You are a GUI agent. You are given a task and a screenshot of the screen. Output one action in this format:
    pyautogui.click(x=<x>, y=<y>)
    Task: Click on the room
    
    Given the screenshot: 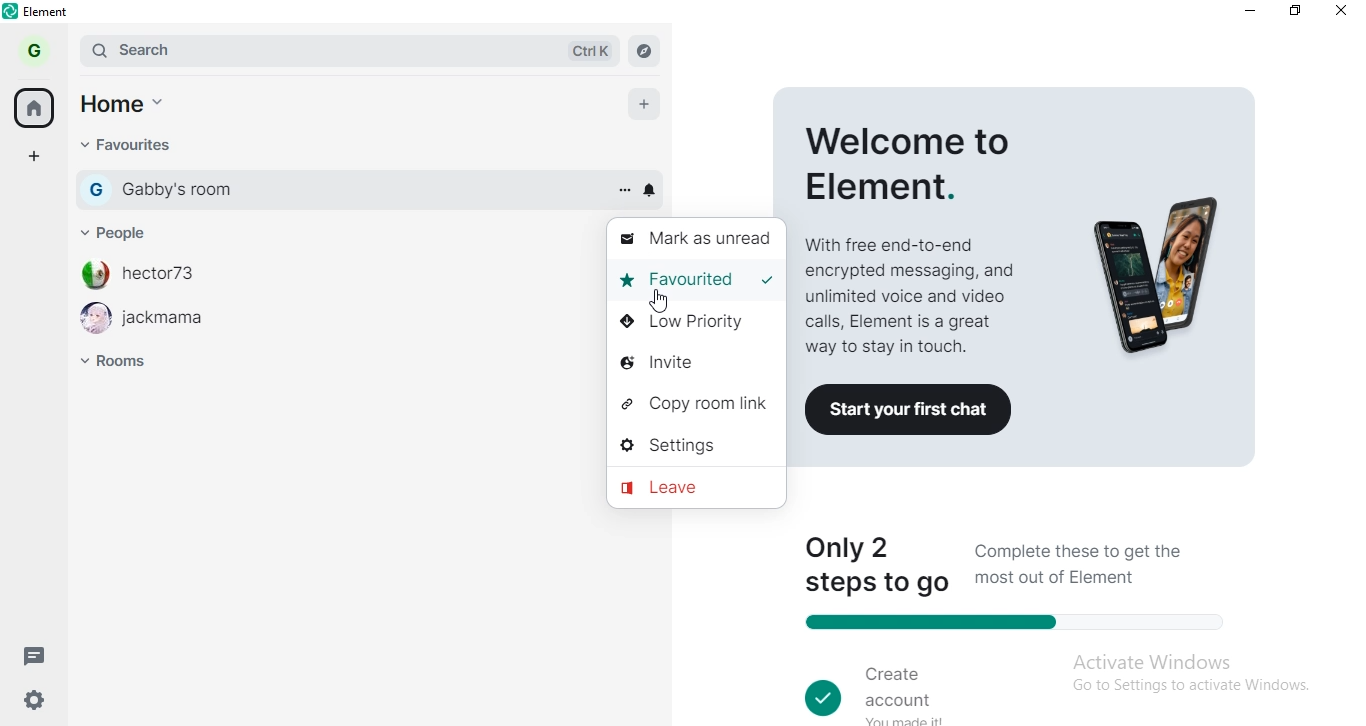 What is the action you would take?
    pyautogui.click(x=126, y=369)
    